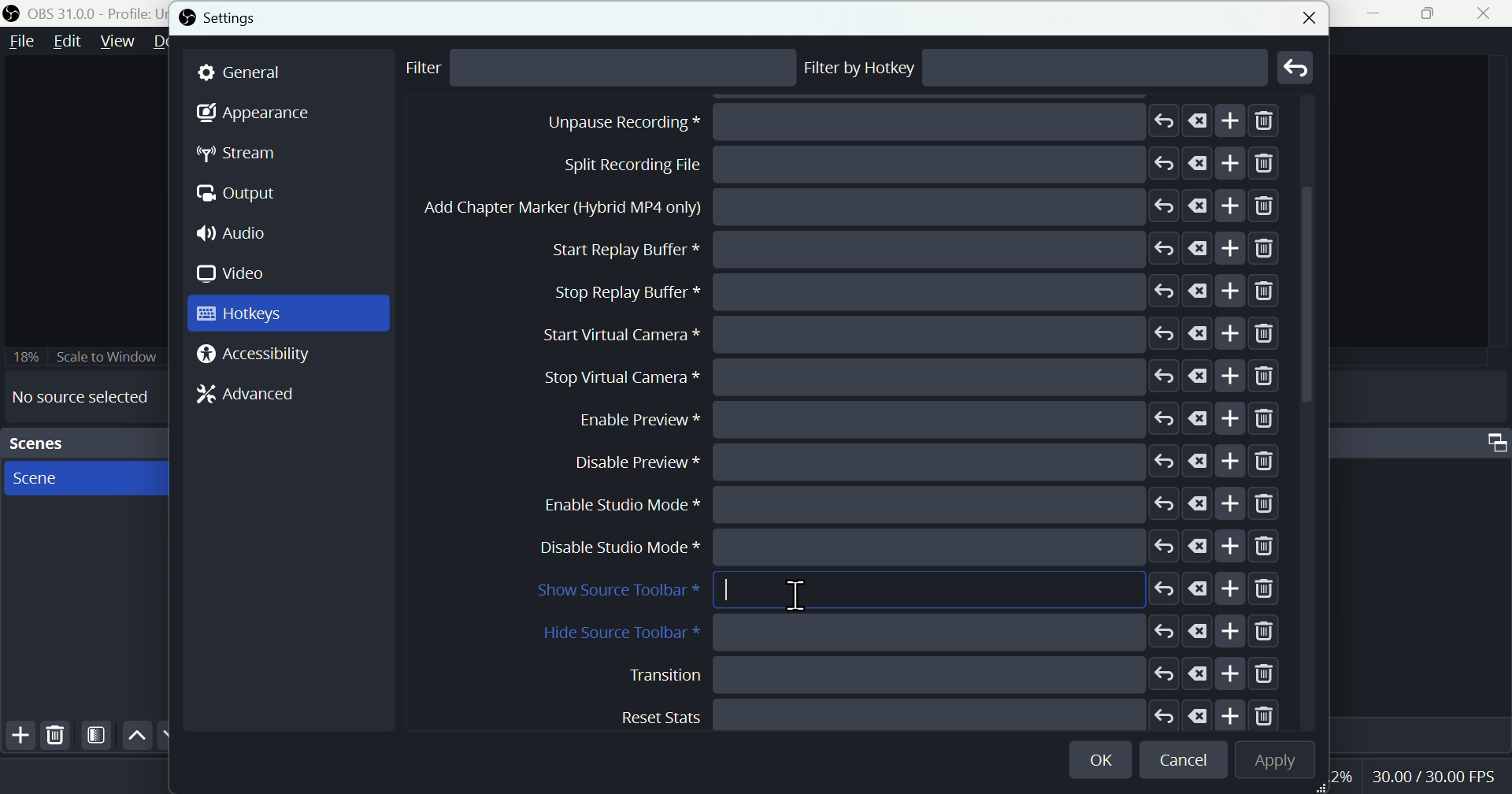 This screenshot has width=1512, height=794. Describe the element at coordinates (237, 273) in the screenshot. I see `Video` at that location.